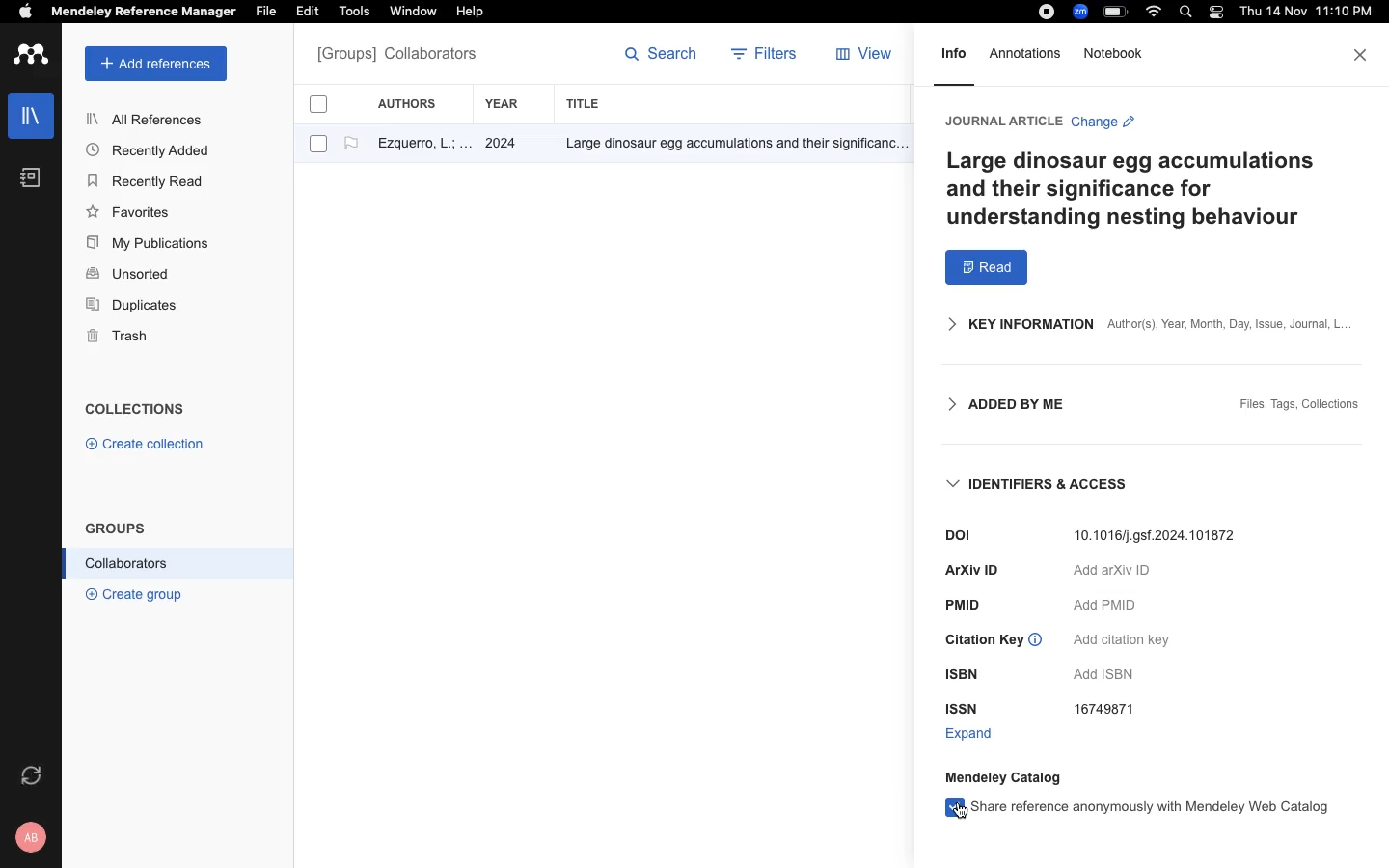  I want to click on date and time, so click(1302, 14).